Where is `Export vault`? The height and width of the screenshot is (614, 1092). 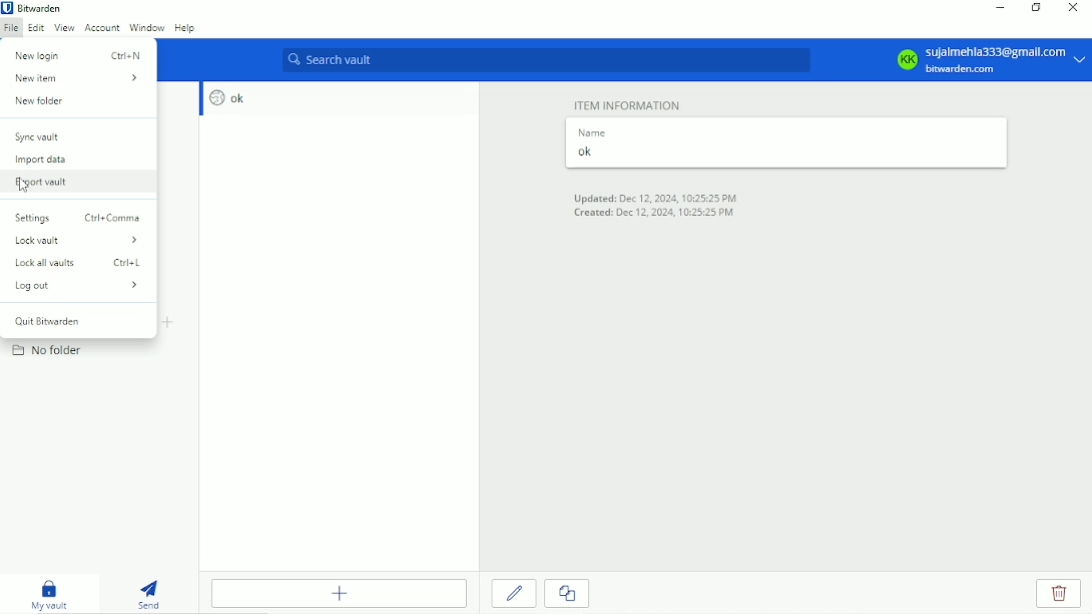 Export vault is located at coordinates (44, 184).